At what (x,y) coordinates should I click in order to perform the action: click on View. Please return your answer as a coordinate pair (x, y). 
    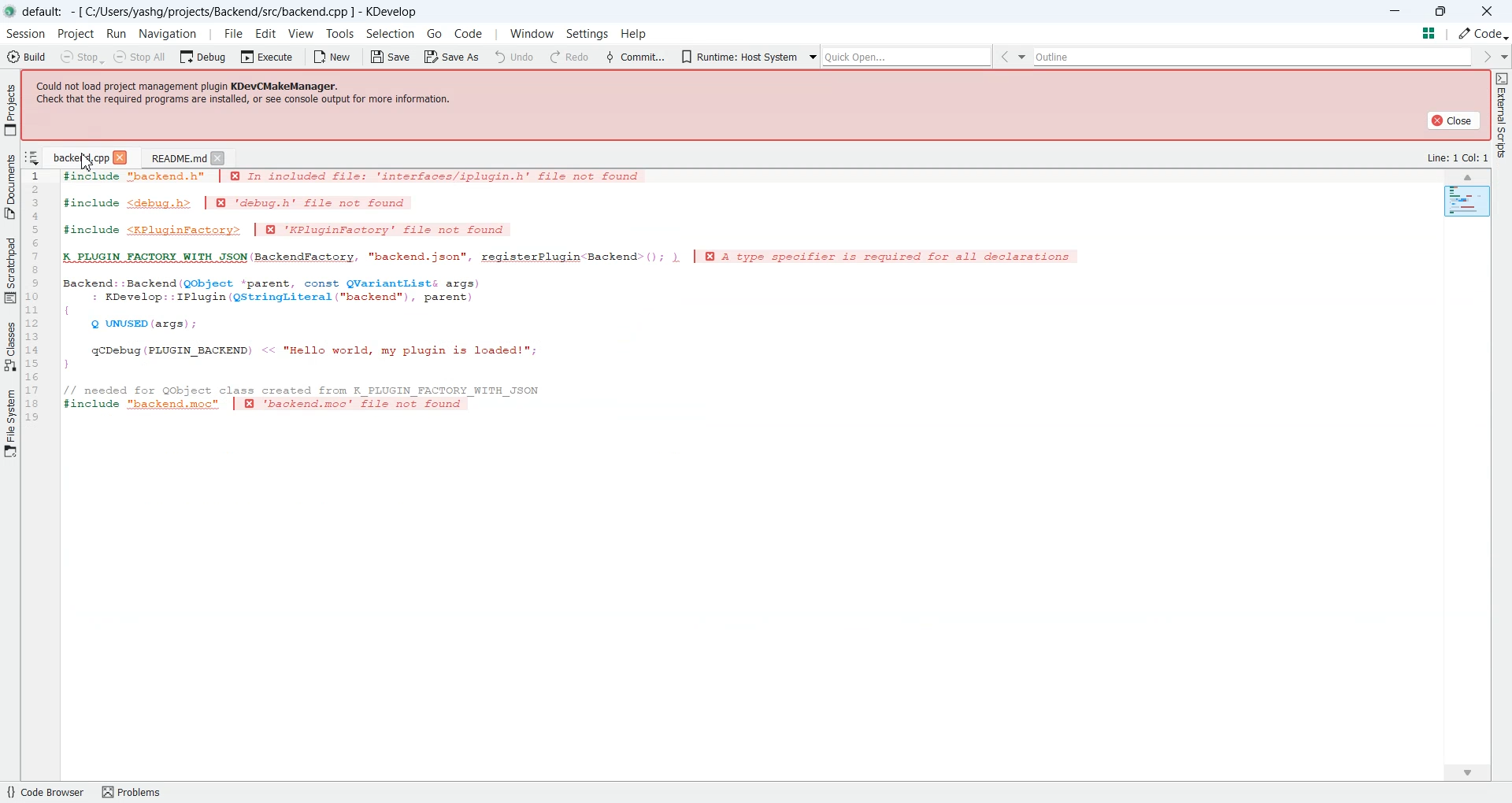
    Looking at the image, I should click on (302, 33).